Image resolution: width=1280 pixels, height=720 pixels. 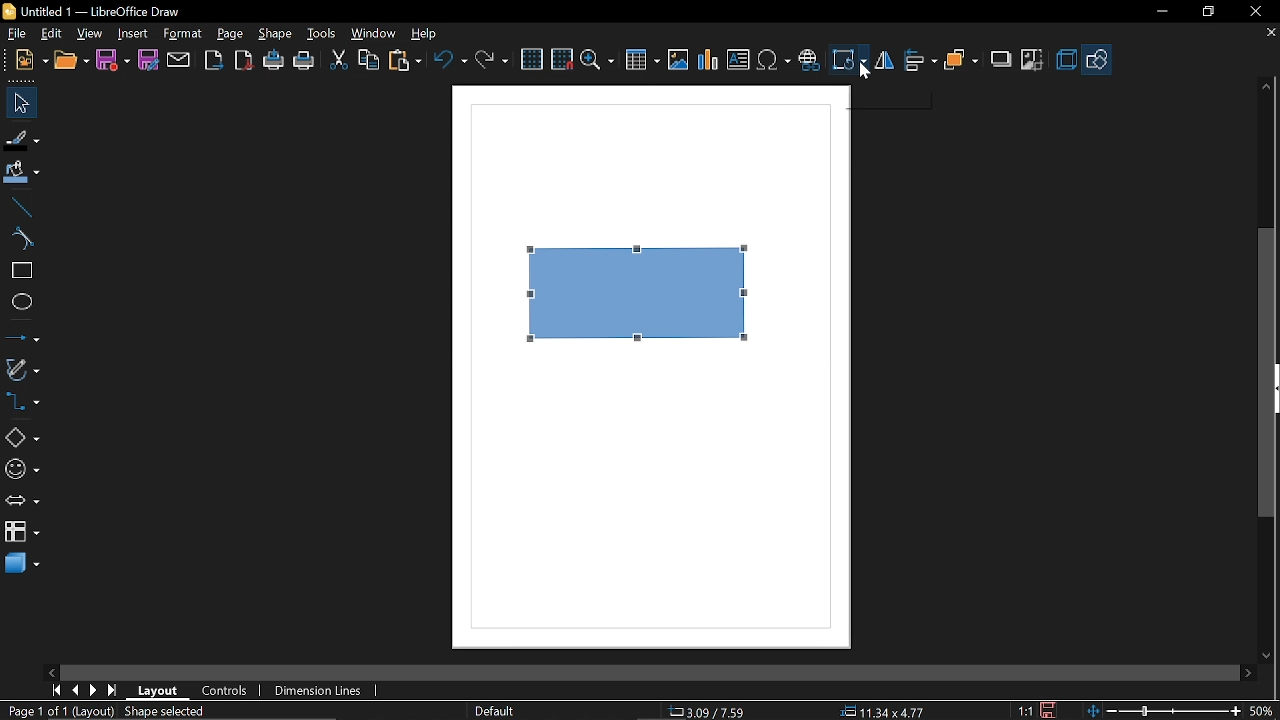 I want to click on flip, so click(x=884, y=61).